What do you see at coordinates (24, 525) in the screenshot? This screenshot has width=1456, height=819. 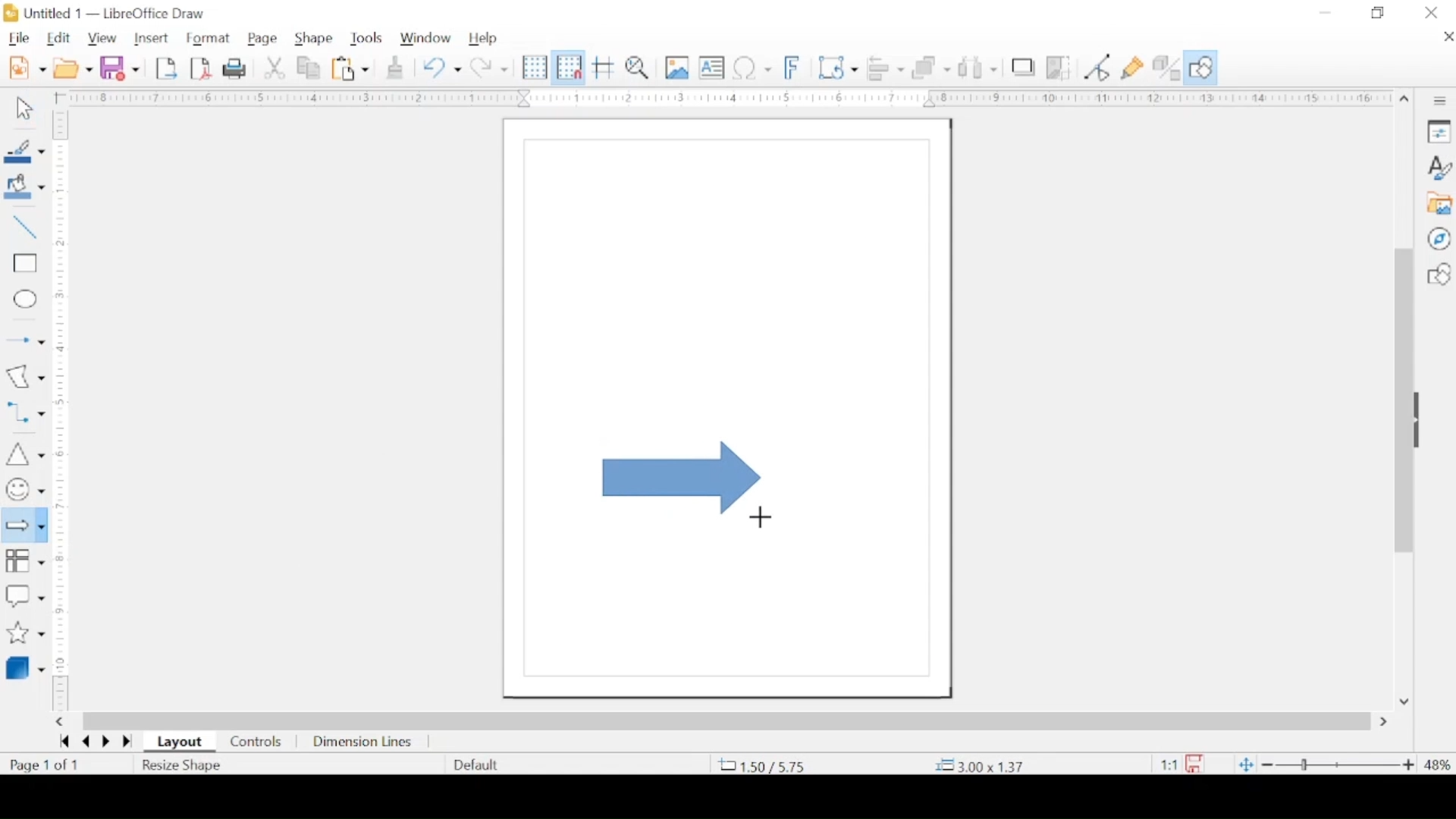 I see `block arrow` at bounding box center [24, 525].